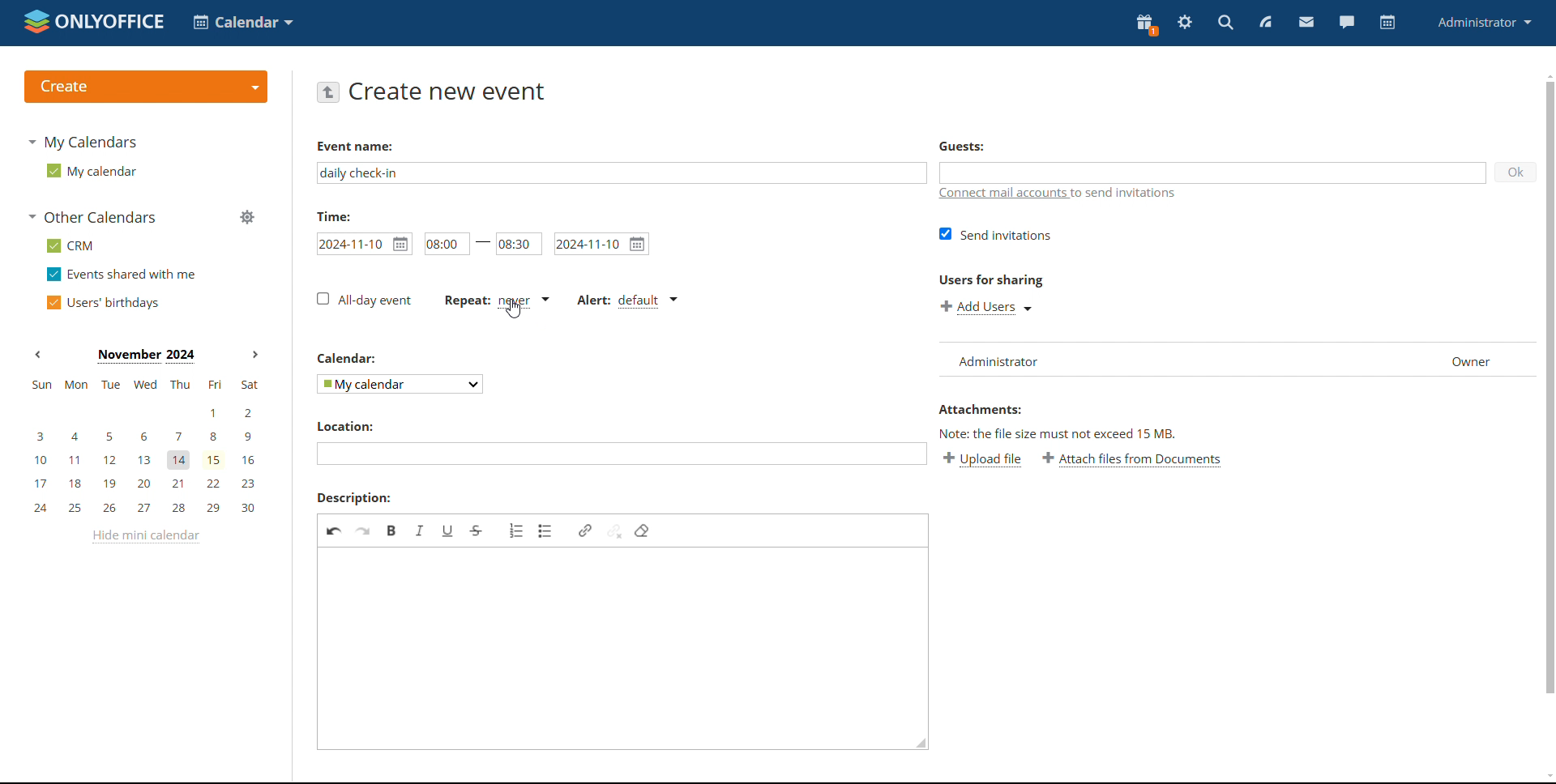  What do you see at coordinates (516, 530) in the screenshot?
I see `insert/remove numbered list` at bounding box center [516, 530].